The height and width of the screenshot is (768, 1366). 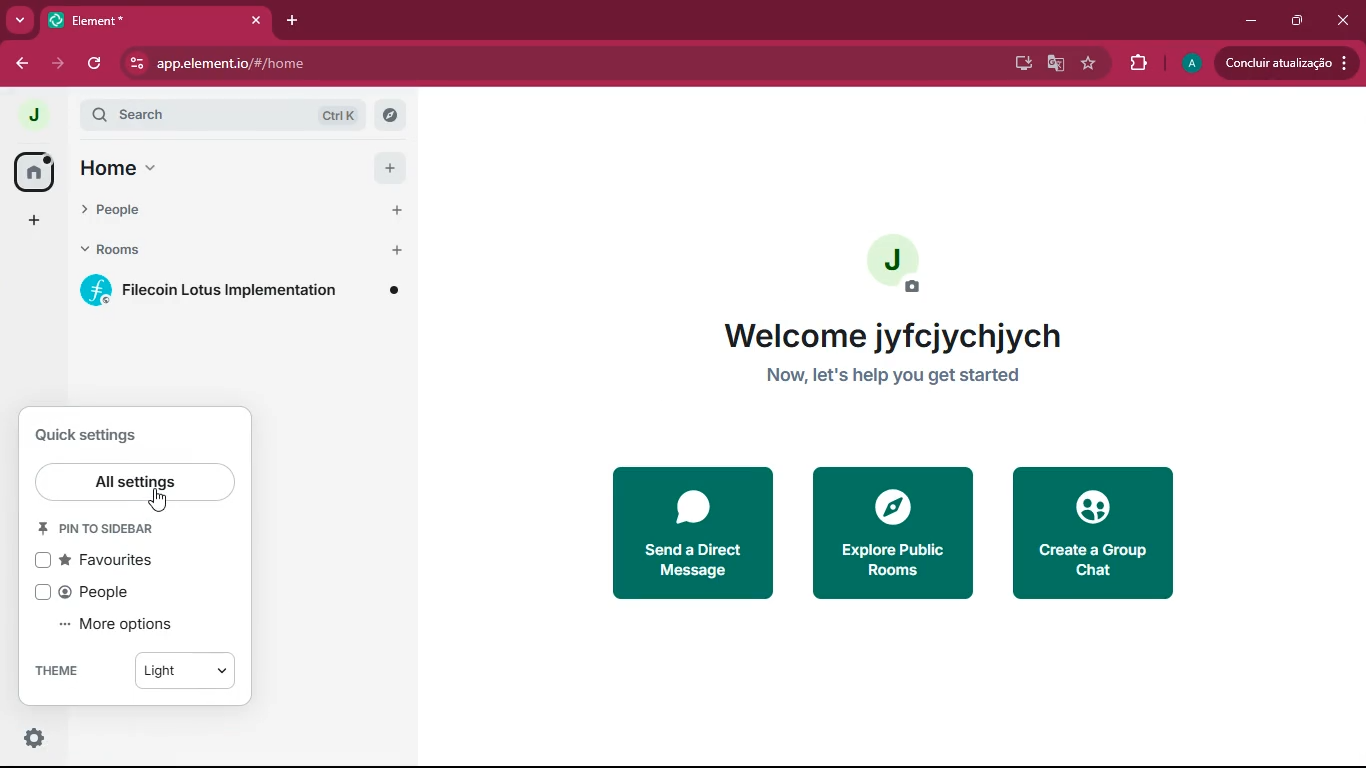 I want to click on favourite, so click(x=1093, y=66).